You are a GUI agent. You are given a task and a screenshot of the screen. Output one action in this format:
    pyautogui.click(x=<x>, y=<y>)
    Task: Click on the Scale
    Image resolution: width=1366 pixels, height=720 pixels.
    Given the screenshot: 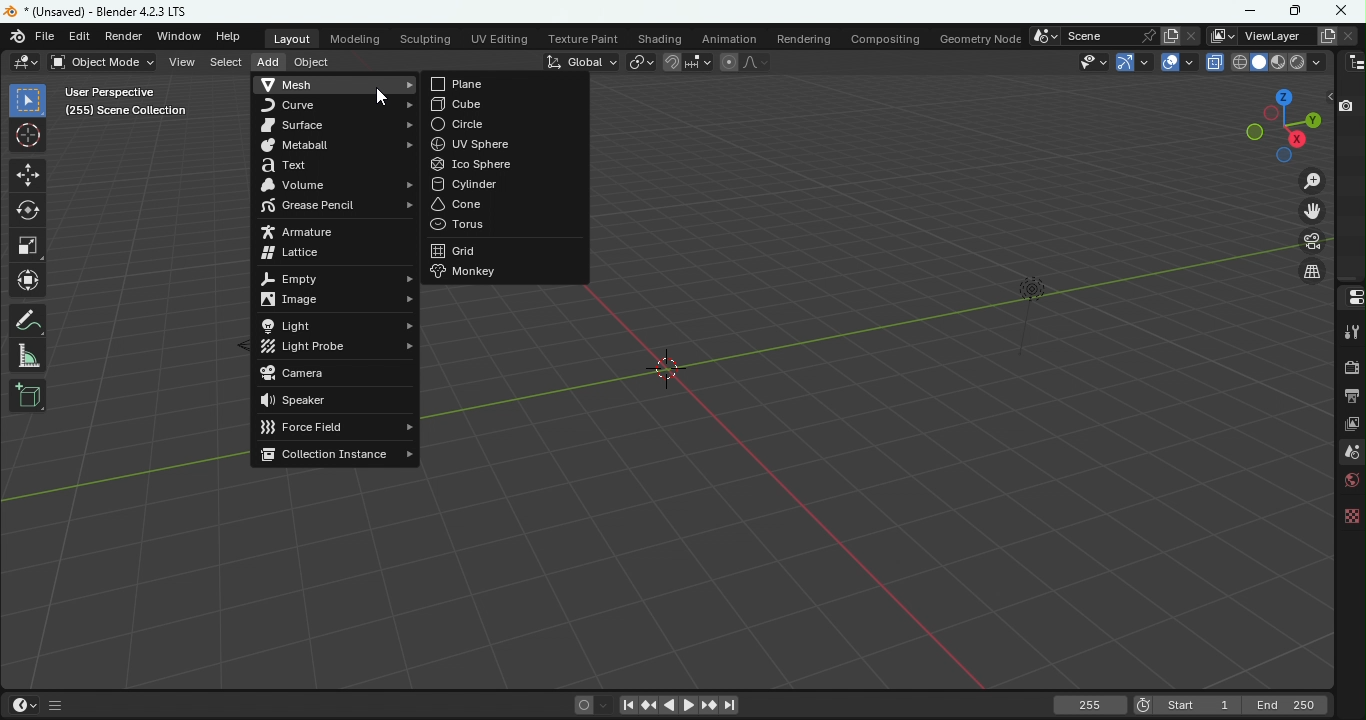 What is the action you would take?
    pyautogui.click(x=30, y=244)
    